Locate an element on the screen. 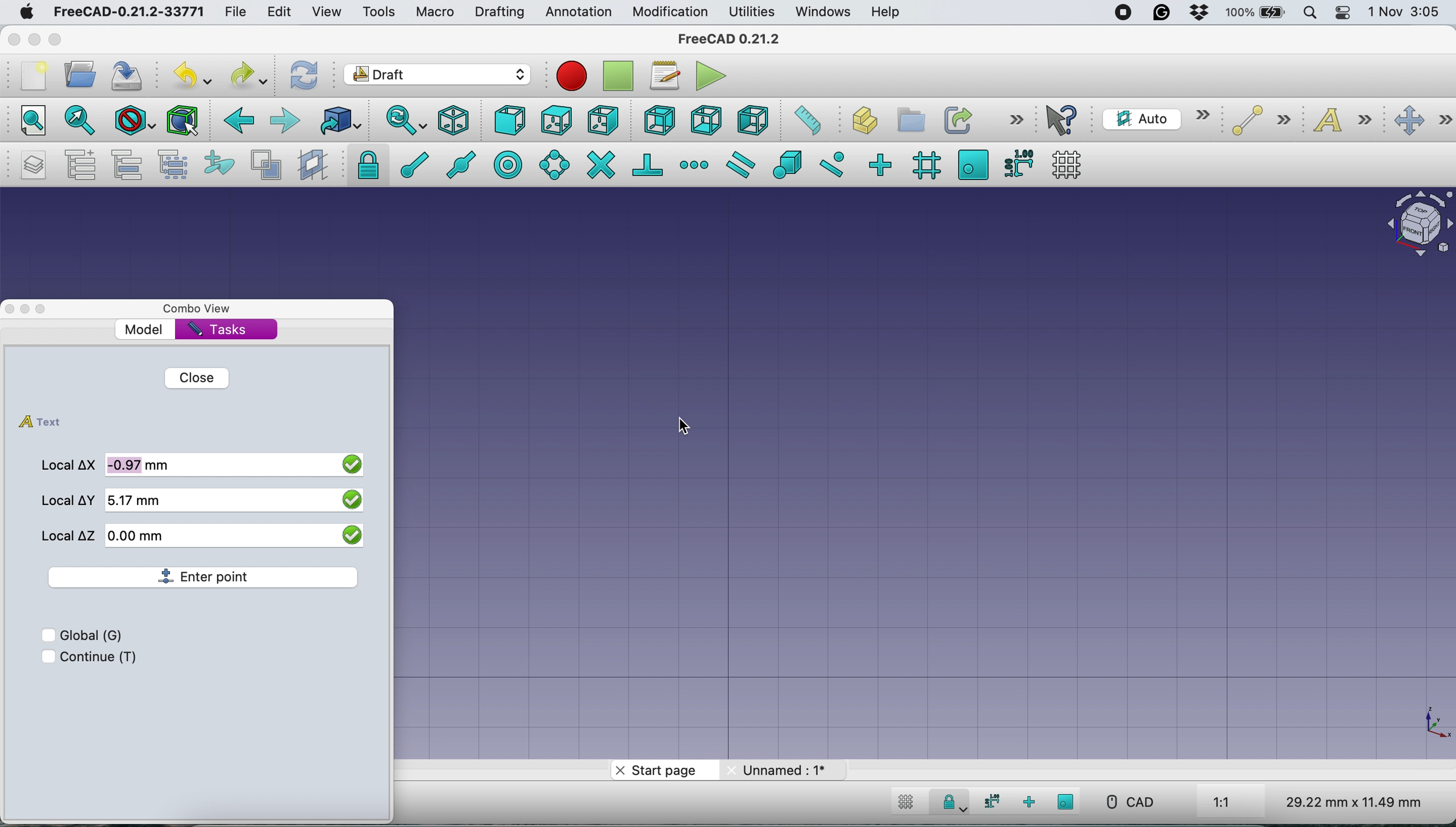 The height and width of the screenshot is (827, 1456). execute macros is located at coordinates (709, 77).